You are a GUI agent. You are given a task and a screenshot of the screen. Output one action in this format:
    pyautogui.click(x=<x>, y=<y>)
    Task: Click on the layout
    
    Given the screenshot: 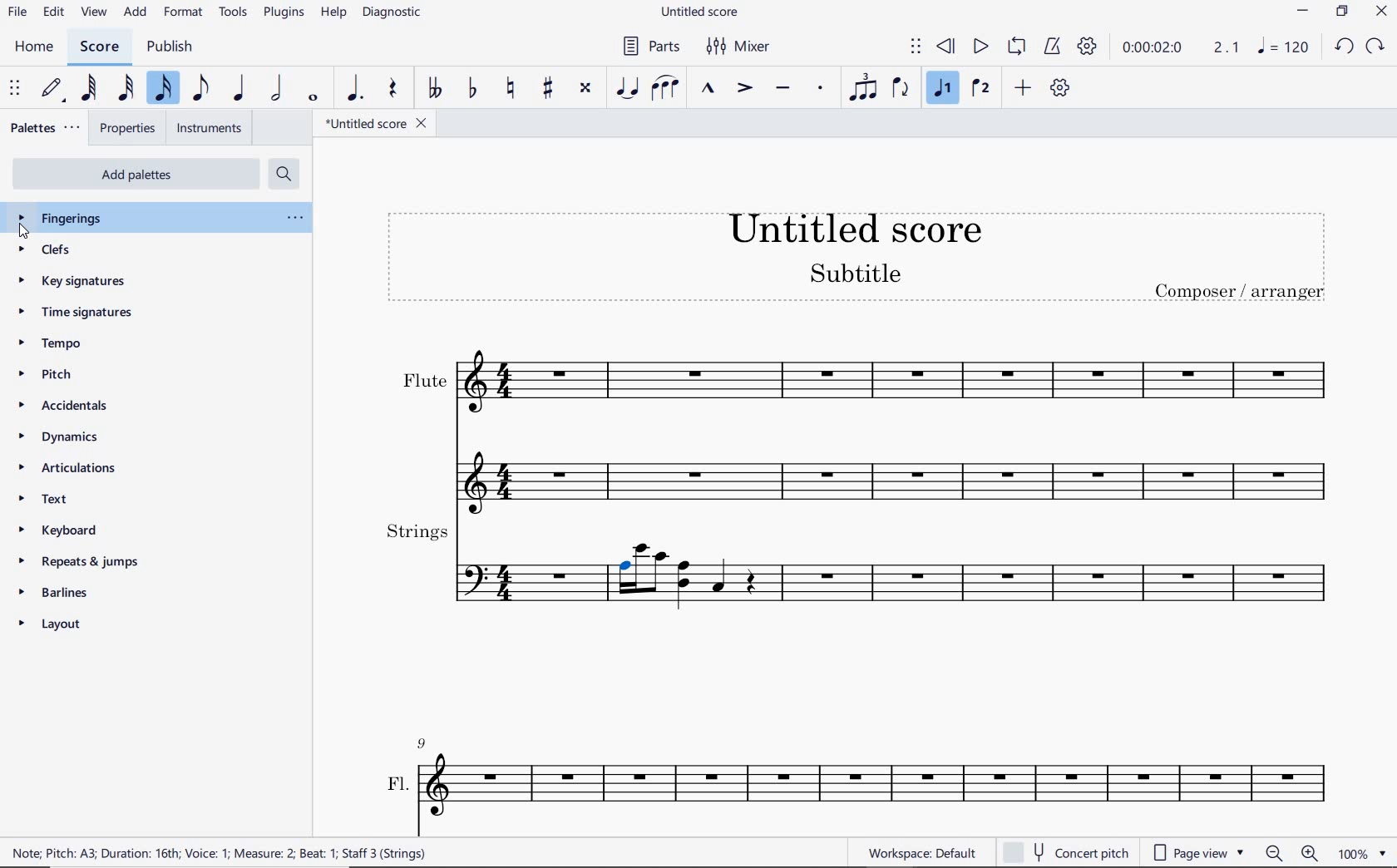 What is the action you would take?
    pyautogui.click(x=81, y=625)
    